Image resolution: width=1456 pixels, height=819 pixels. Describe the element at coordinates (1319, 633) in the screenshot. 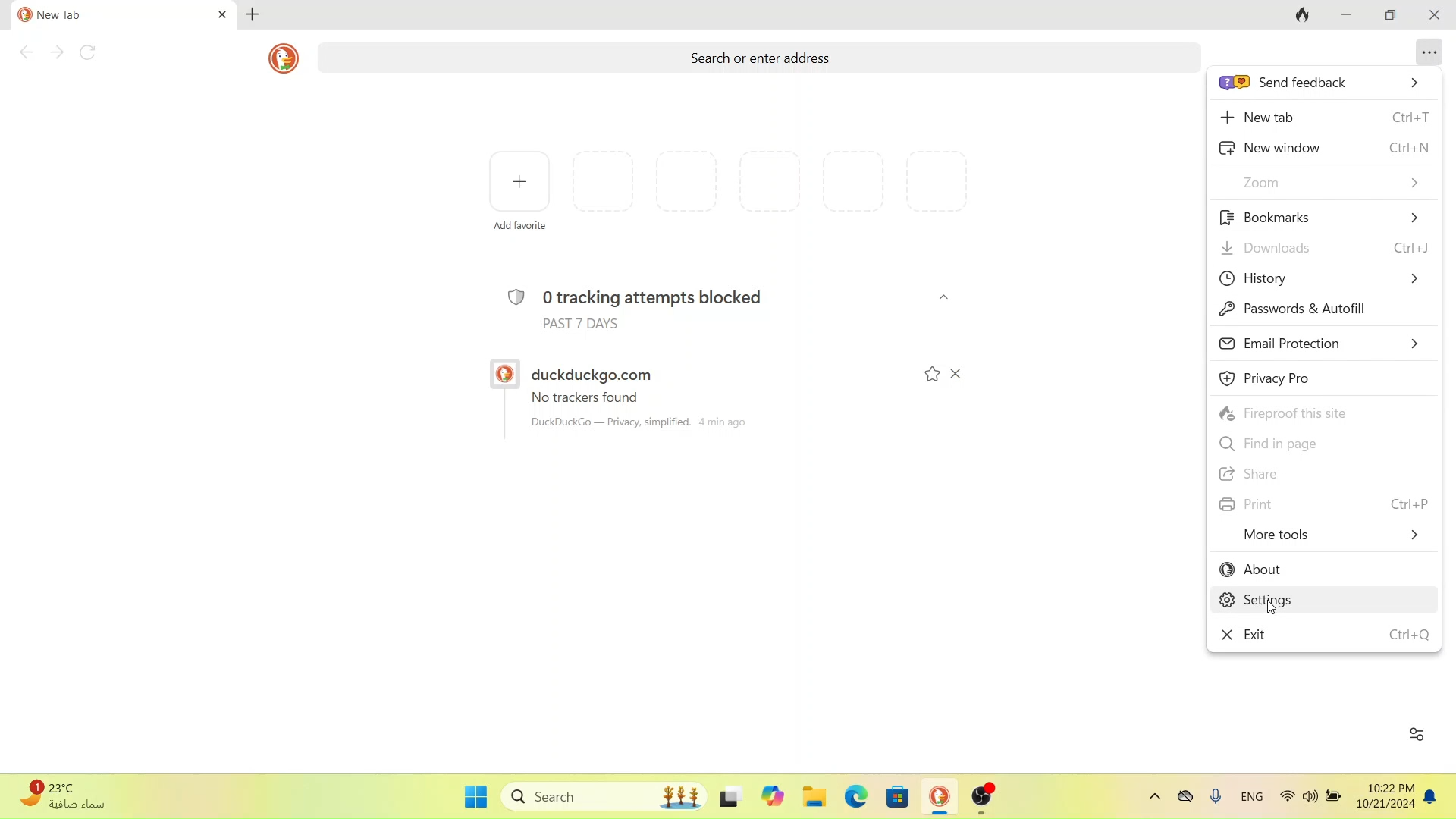

I see `exit` at that location.